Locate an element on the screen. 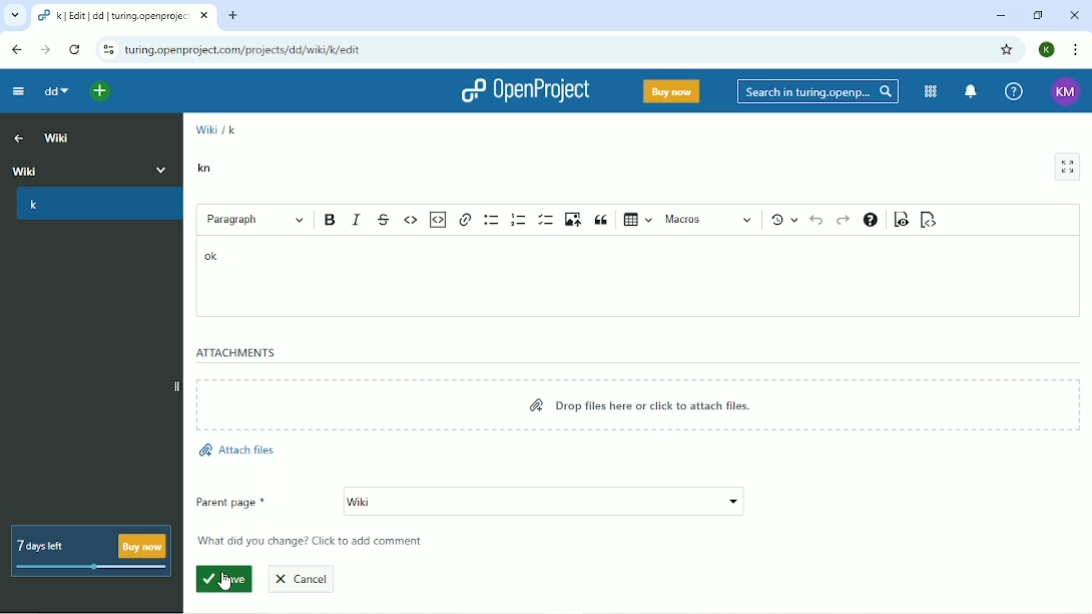  Paragraph is located at coordinates (255, 220).